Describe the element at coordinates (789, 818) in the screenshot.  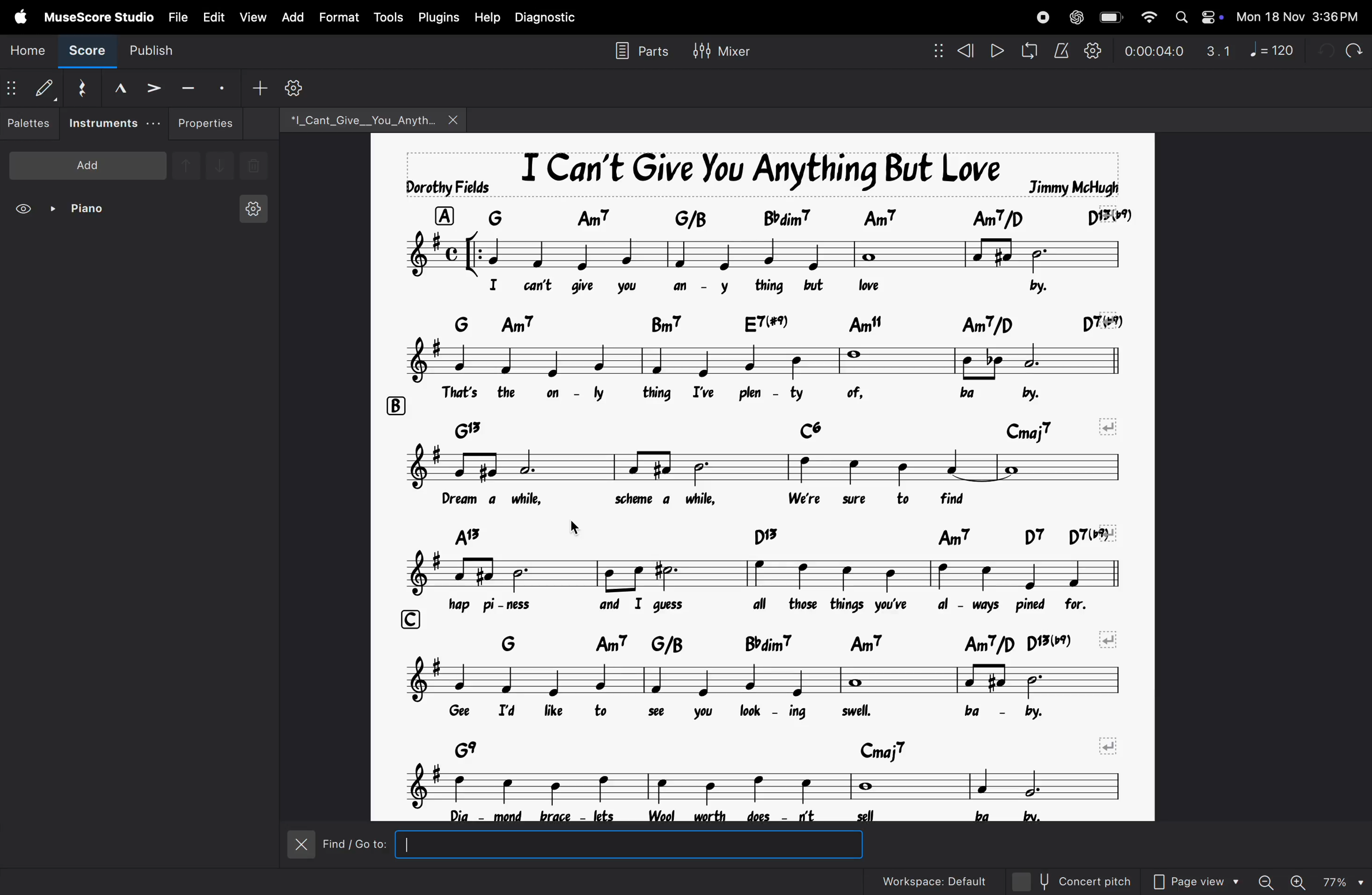
I see `lyrics` at that location.